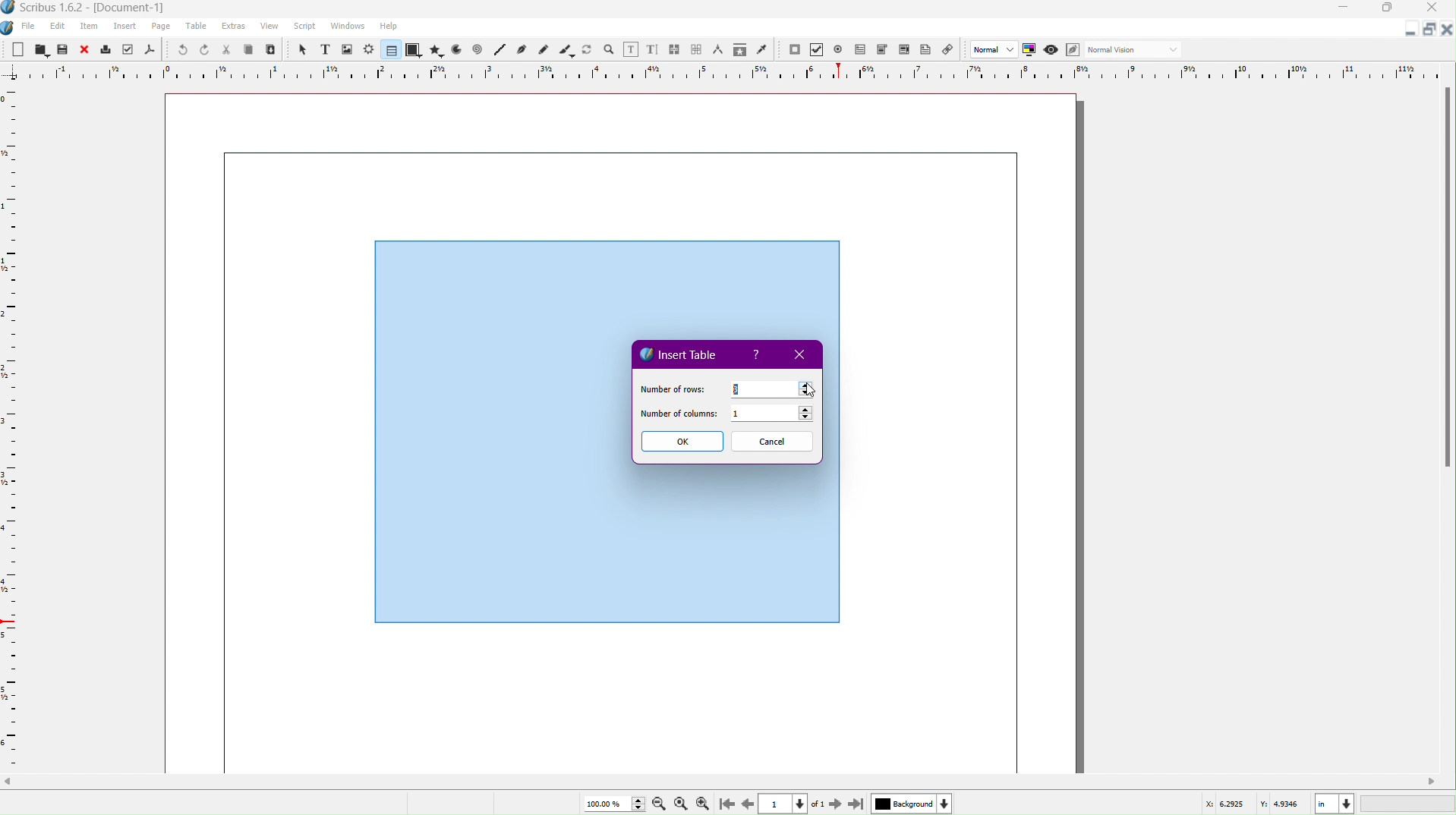 The height and width of the screenshot is (815, 1456). Describe the element at coordinates (478, 51) in the screenshot. I see `Spiral` at that location.